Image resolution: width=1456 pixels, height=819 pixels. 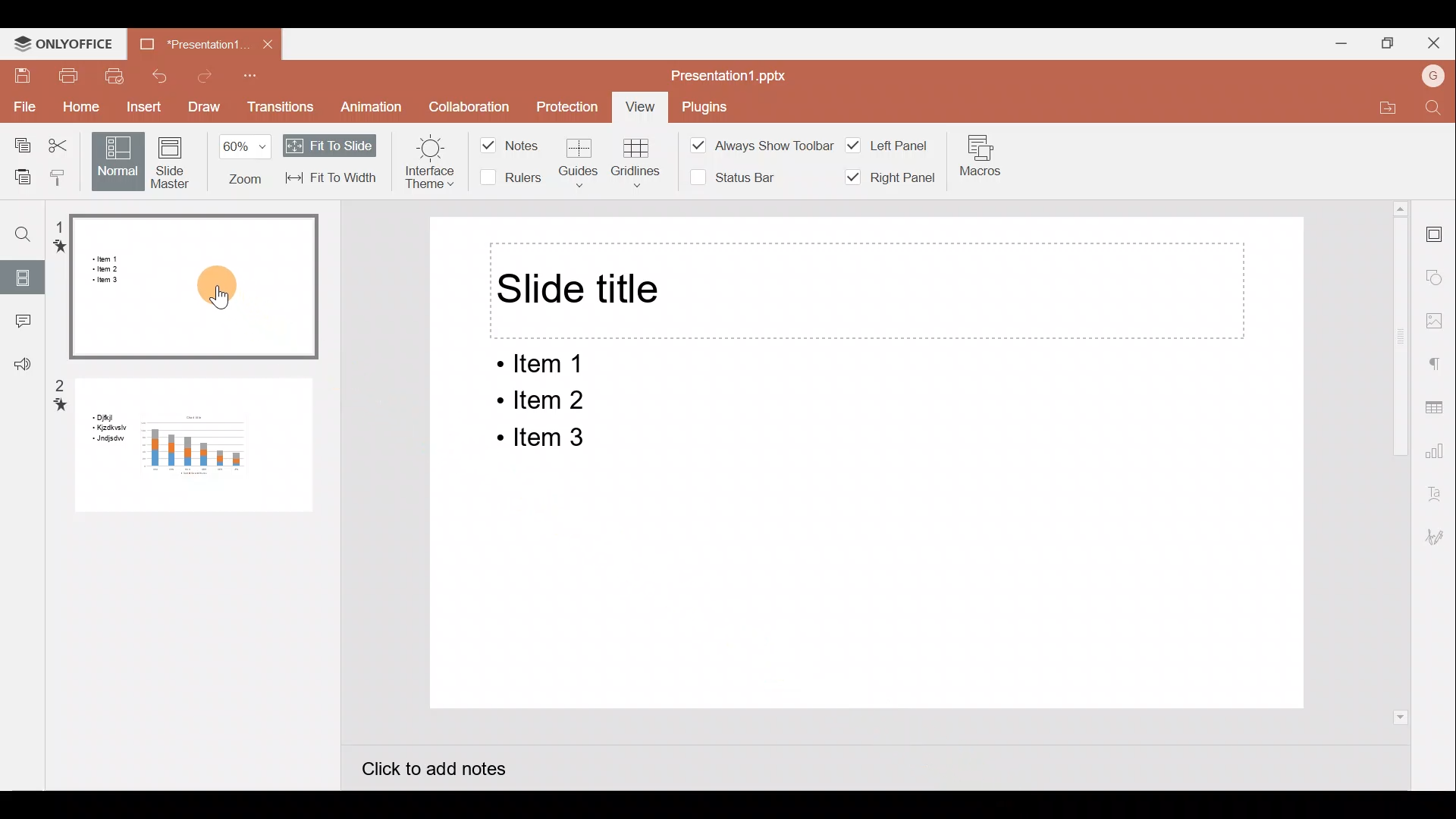 What do you see at coordinates (469, 96) in the screenshot?
I see `Collaboration` at bounding box center [469, 96].